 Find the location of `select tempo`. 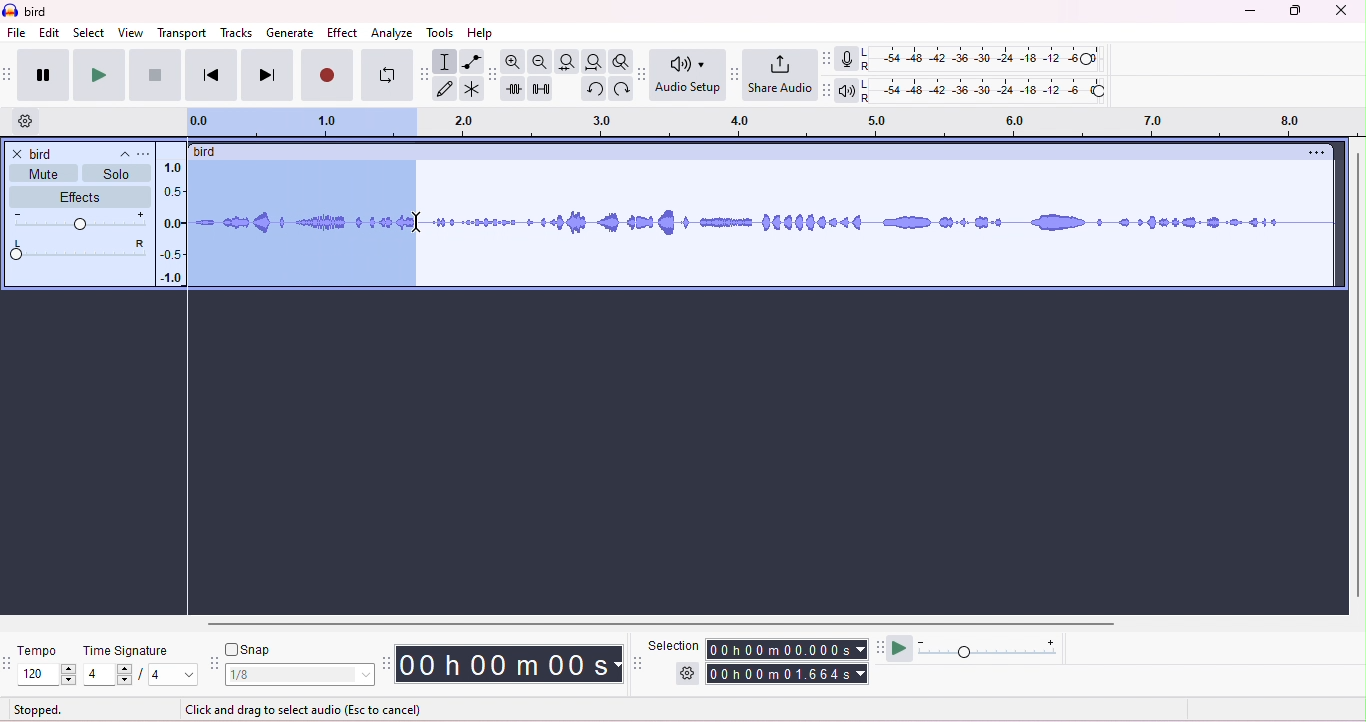

select tempo is located at coordinates (48, 676).